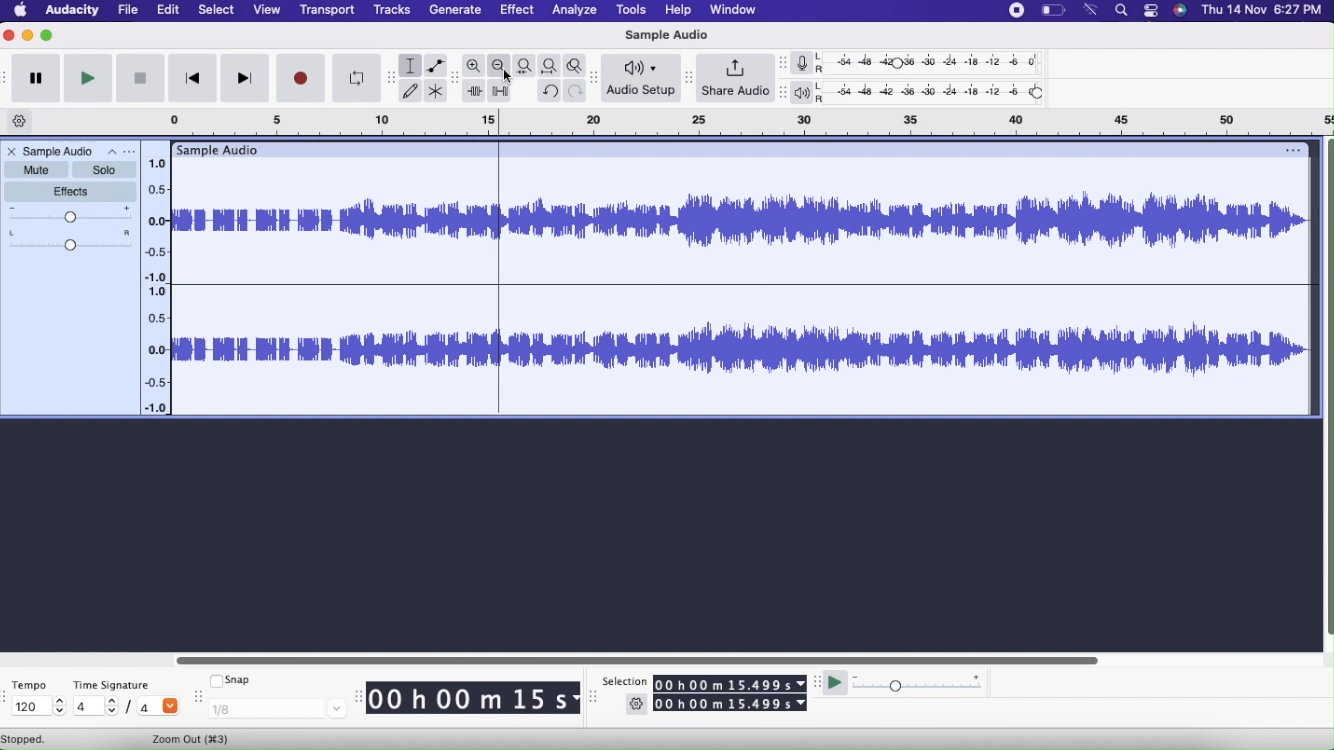  Describe the element at coordinates (97, 707) in the screenshot. I see `4` at that location.